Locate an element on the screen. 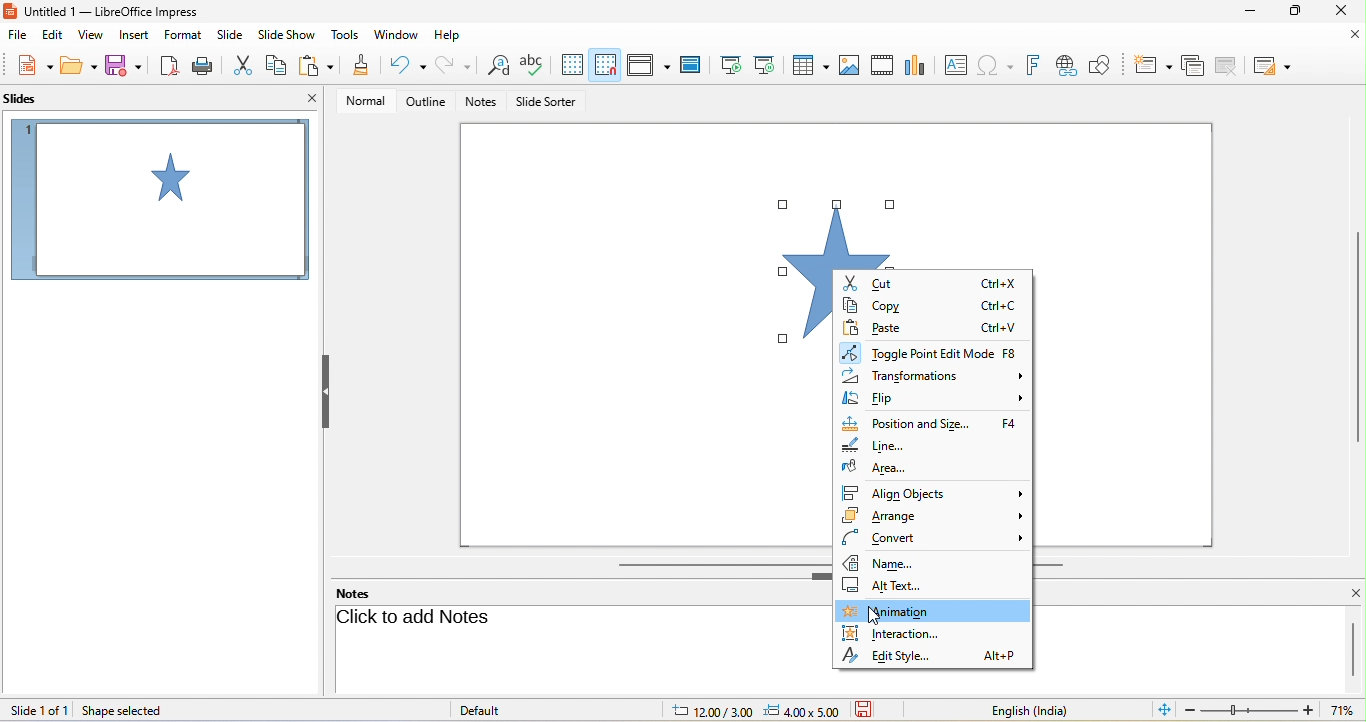  snap to grid is located at coordinates (605, 62).